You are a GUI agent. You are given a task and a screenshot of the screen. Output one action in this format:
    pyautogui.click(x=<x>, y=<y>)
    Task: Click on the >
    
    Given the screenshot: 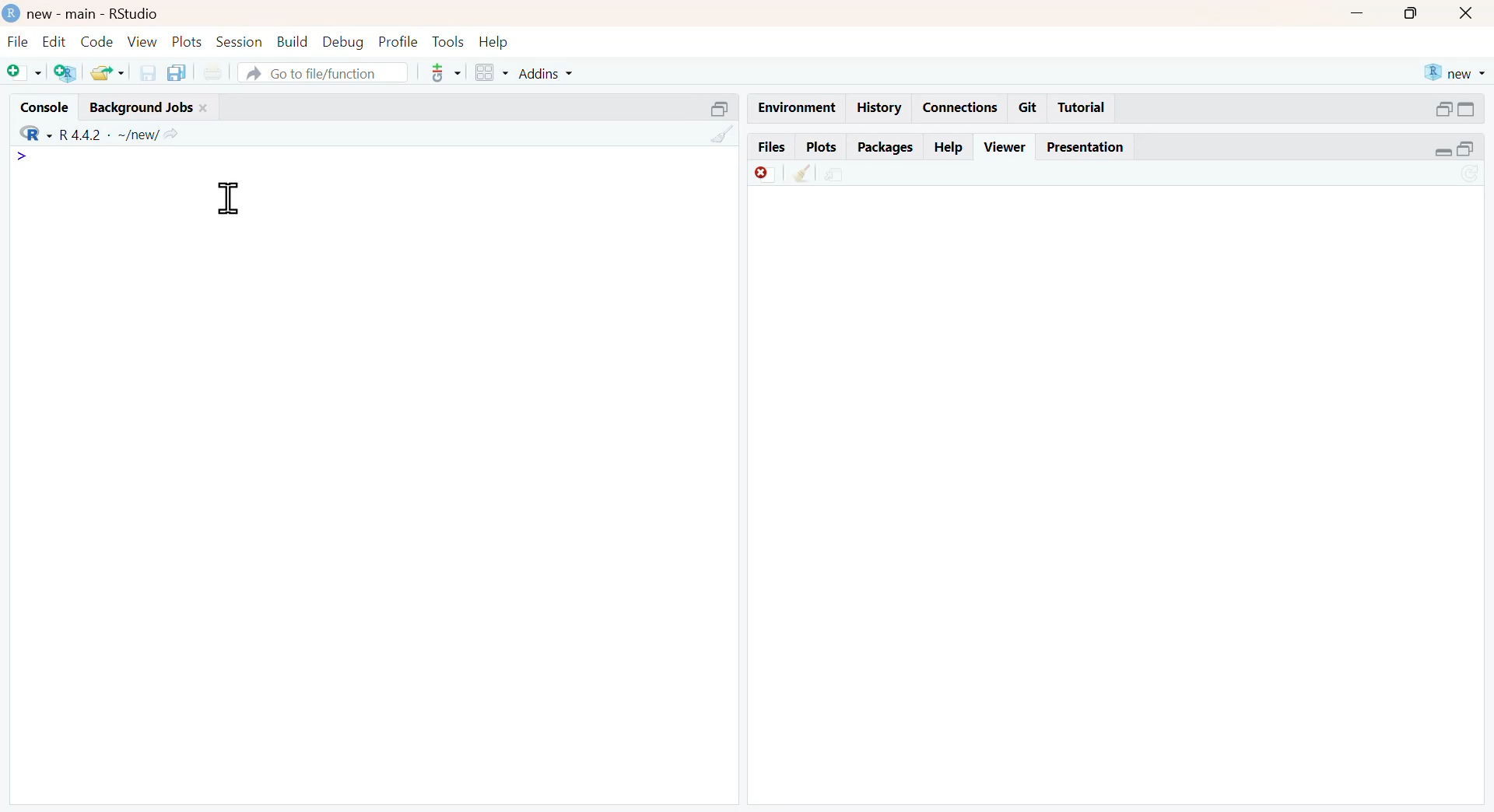 What is the action you would take?
    pyautogui.click(x=23, y=156)
    